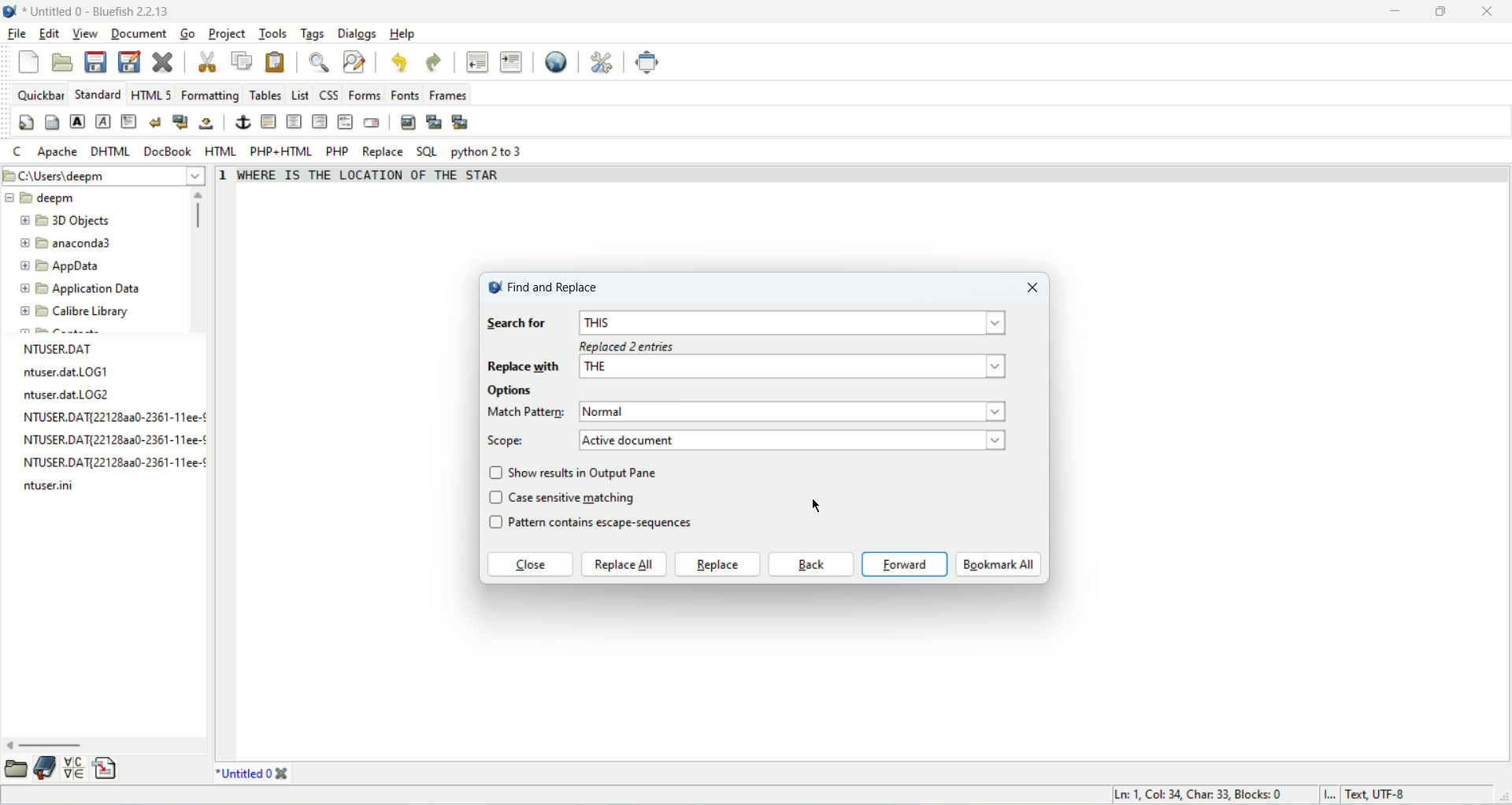  What do you see at coordinates (17, 768) in the screenshot?
I see `file browser` at bounding box center [17, 768].